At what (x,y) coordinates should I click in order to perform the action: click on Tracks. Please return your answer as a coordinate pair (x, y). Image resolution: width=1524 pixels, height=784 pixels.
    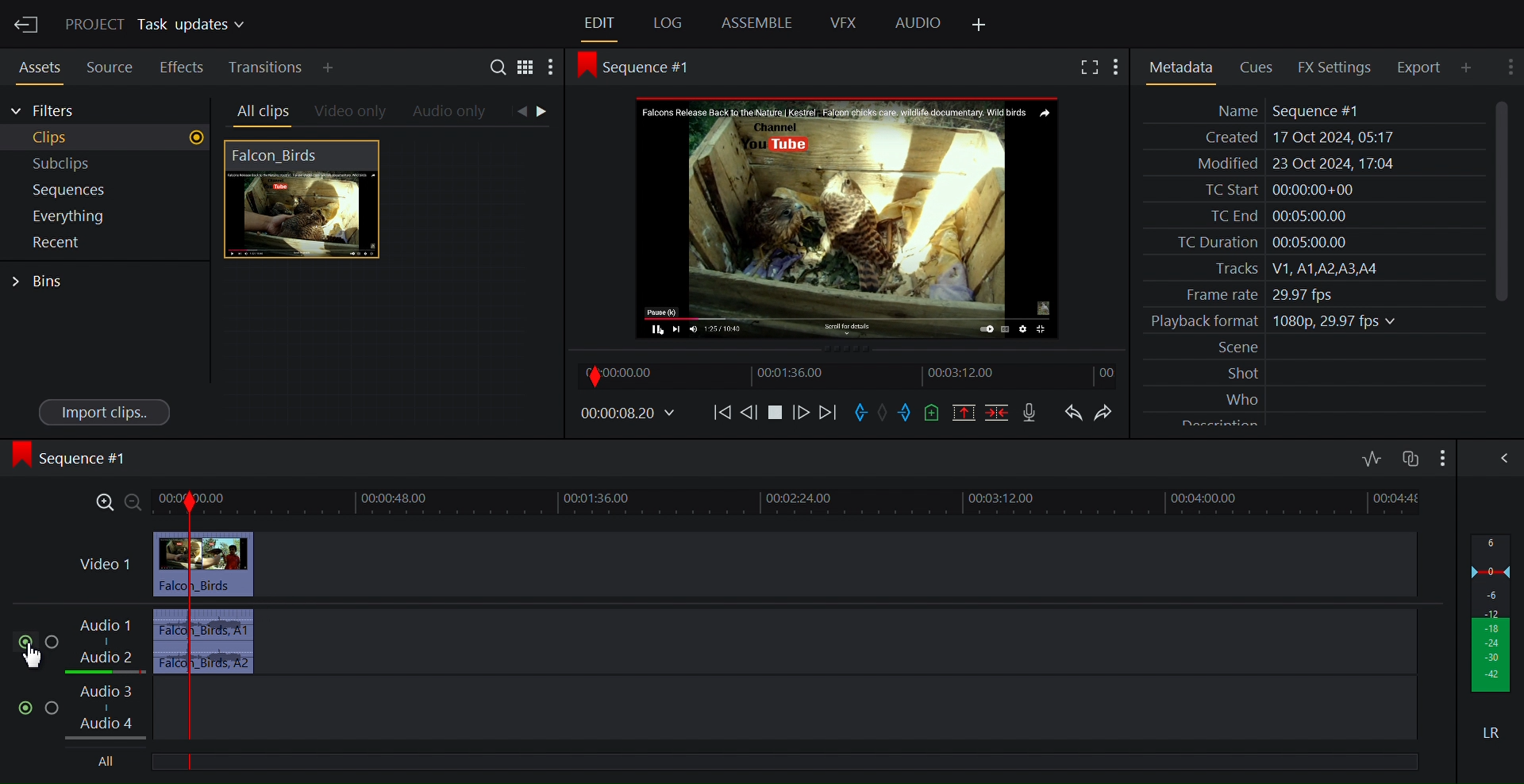
    Looking at the image, I should click on (1312, 269).